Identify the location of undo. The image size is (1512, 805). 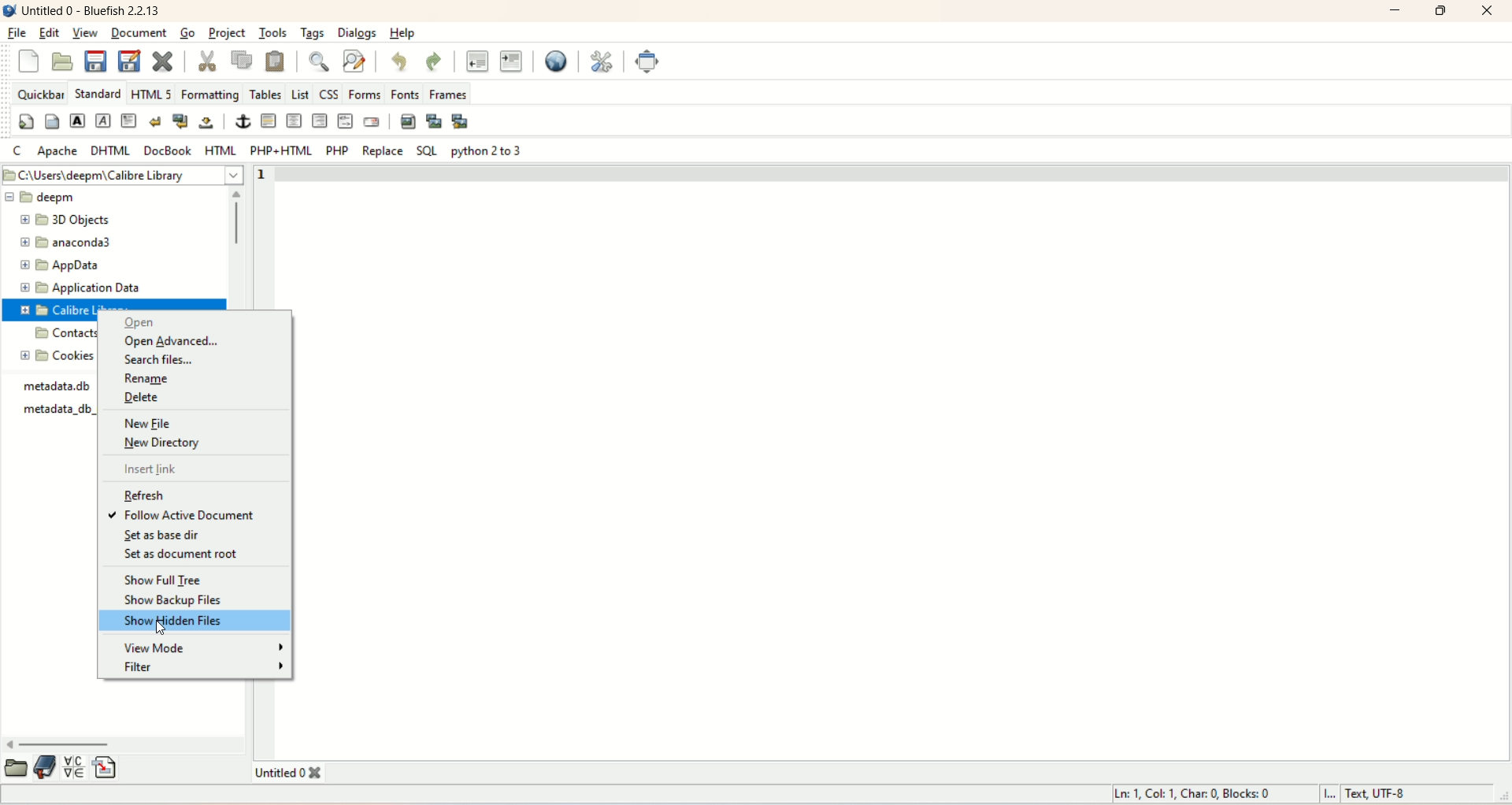
(398, 63).